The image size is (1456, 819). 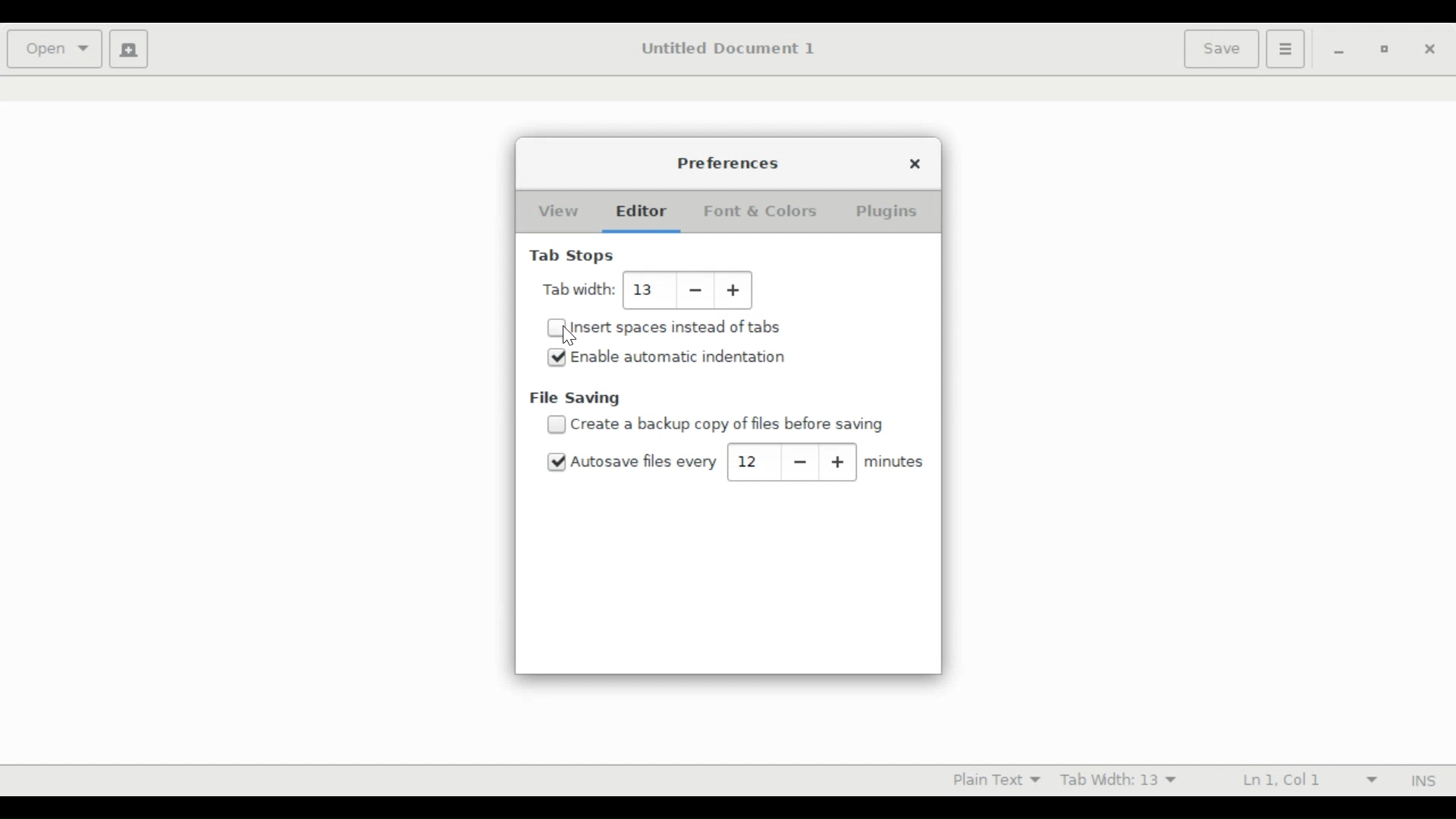 I want to click on Close, so click(x=918, y=164).